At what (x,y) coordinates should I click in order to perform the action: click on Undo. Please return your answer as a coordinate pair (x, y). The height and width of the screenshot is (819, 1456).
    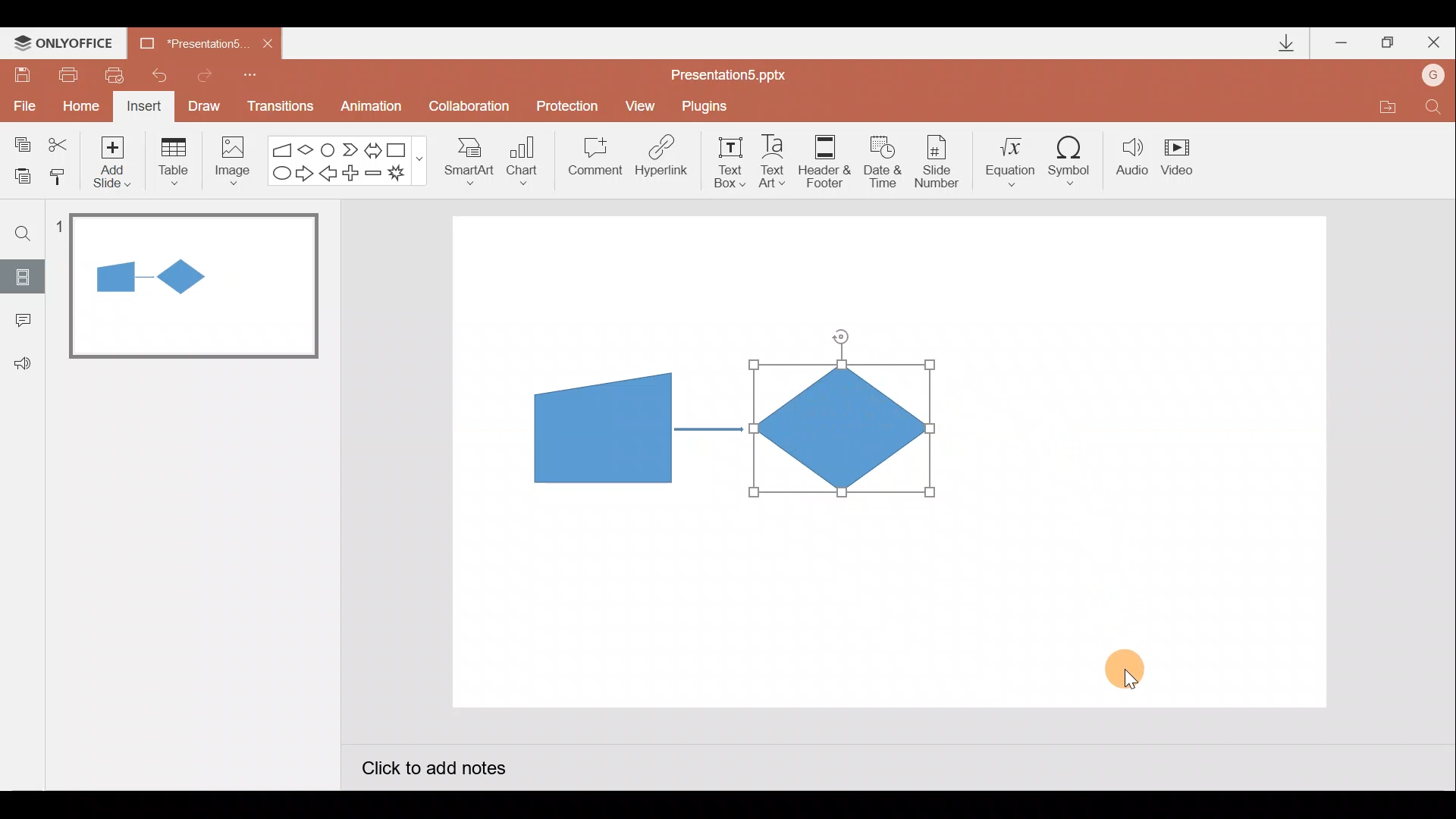
    Looking at the image, I should click on (162, 75).